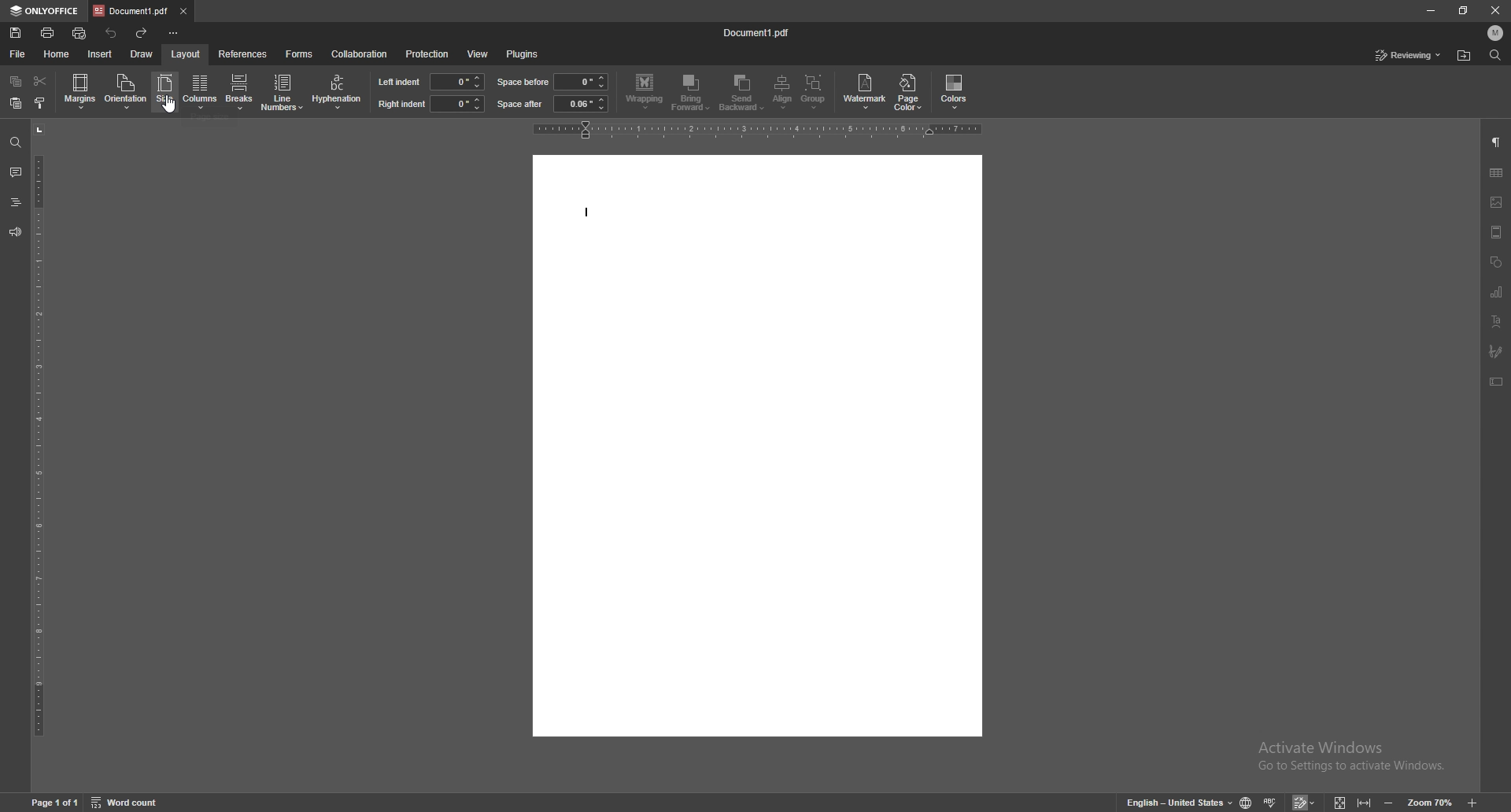  What do you see at coordinates (57, 54) in the screenshot?
I see `home` at bounding box center [57, 54].